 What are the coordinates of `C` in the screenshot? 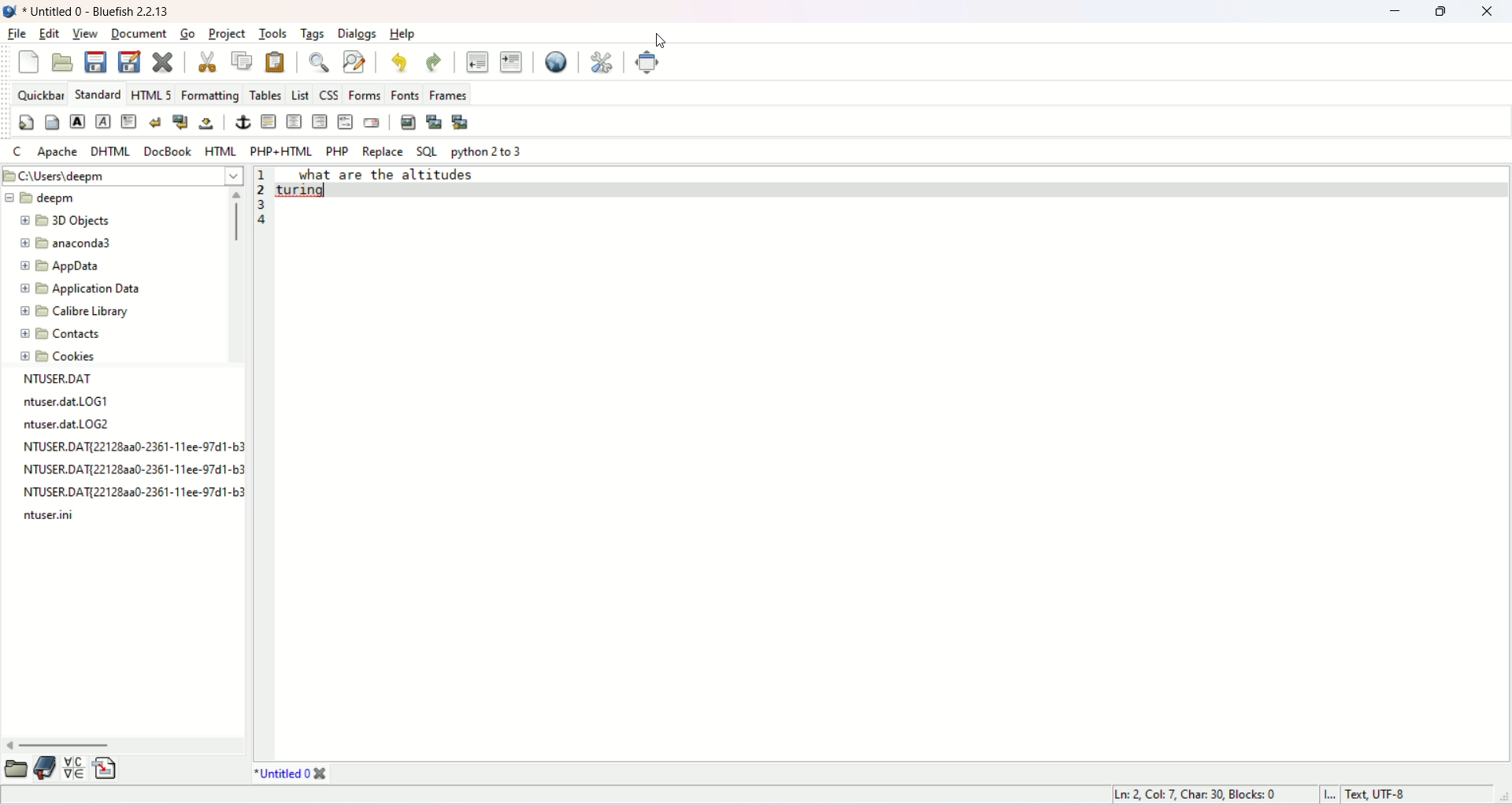 It's located at (16, 151).